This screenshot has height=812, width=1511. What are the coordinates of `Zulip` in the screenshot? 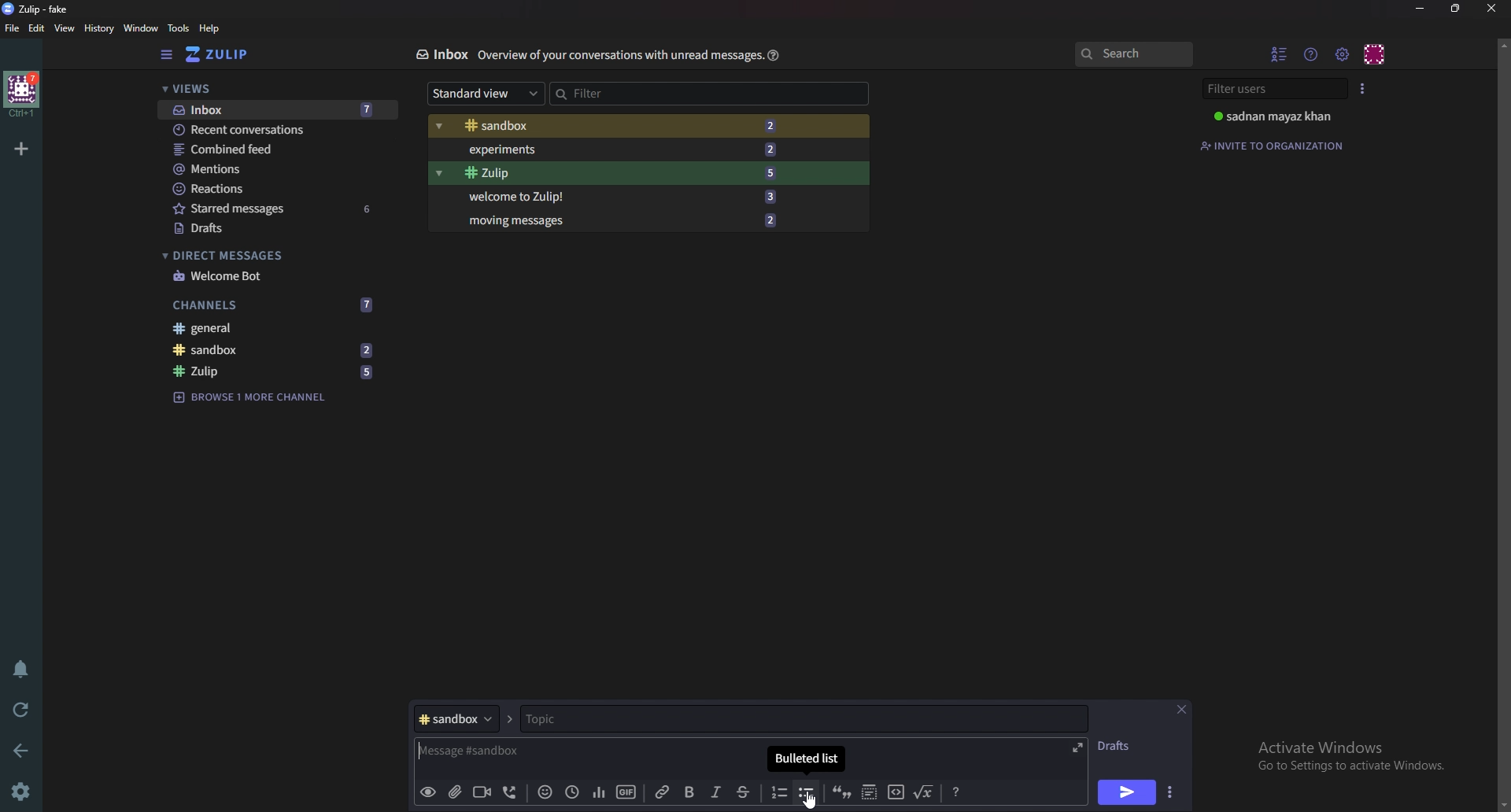 It's located at (275, 372).